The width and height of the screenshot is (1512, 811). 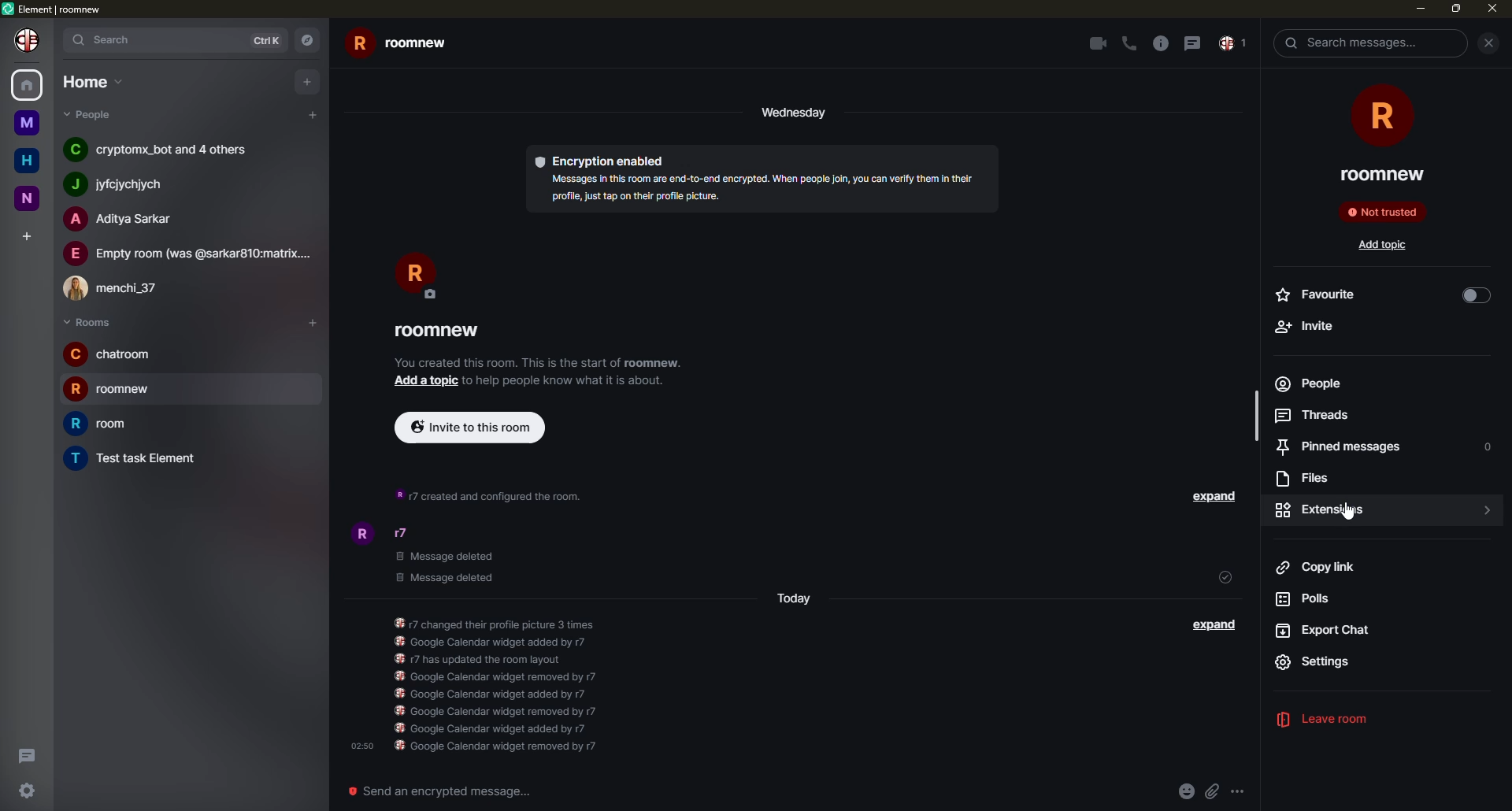 I want to click on add topic, so click(x=1380, y=246).